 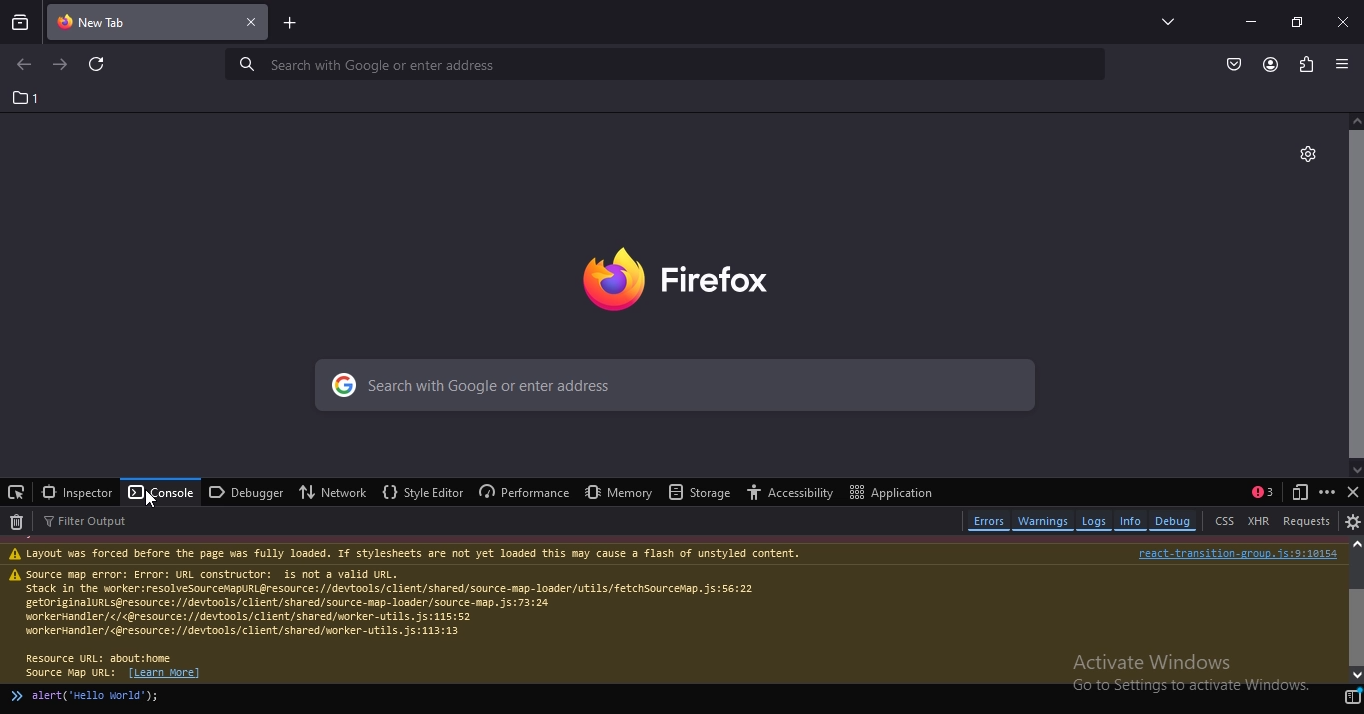 I want to click on image, so click(x=696, y=280).